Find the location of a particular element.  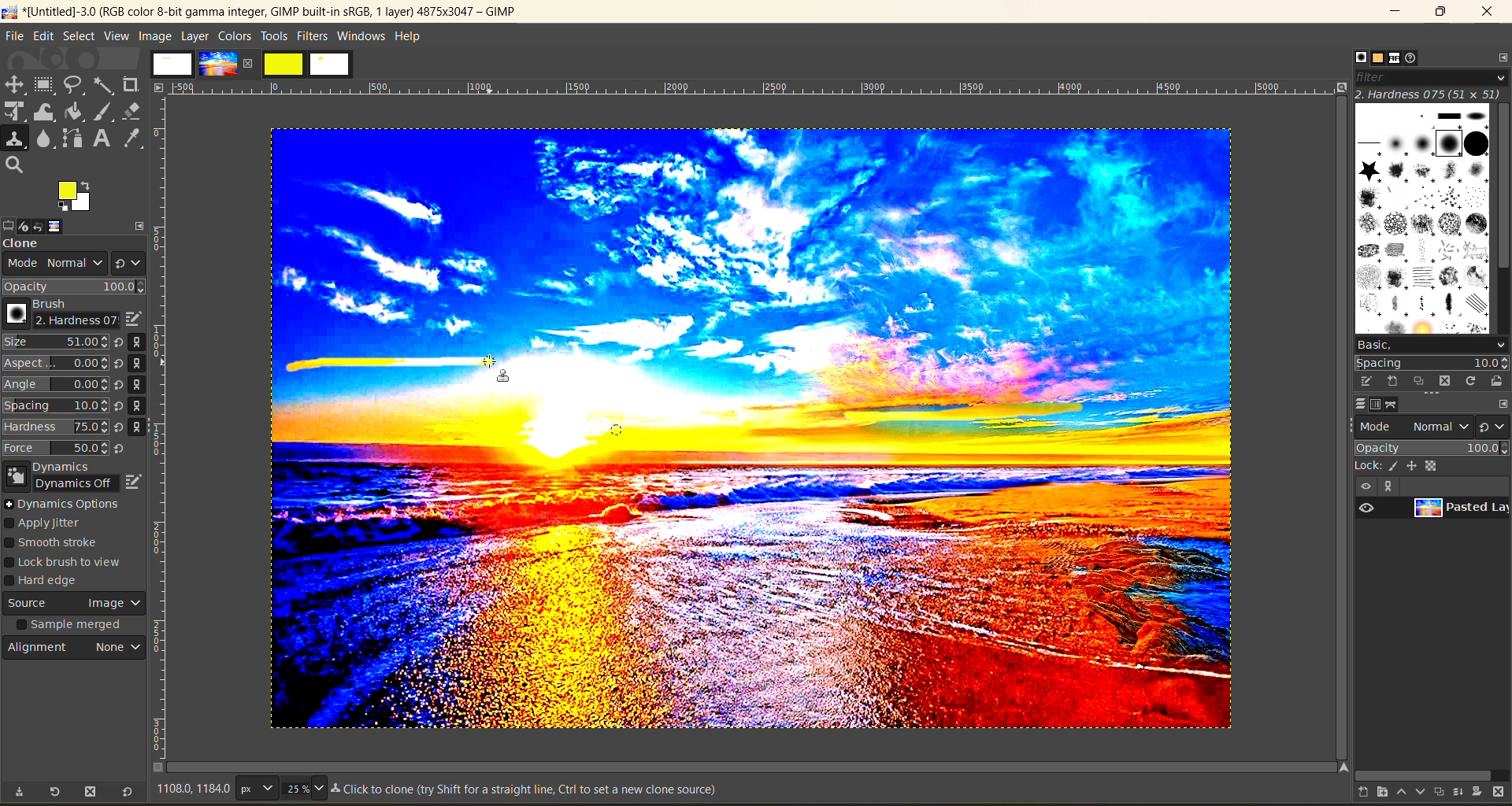

image is located at coordinates (154, 35).